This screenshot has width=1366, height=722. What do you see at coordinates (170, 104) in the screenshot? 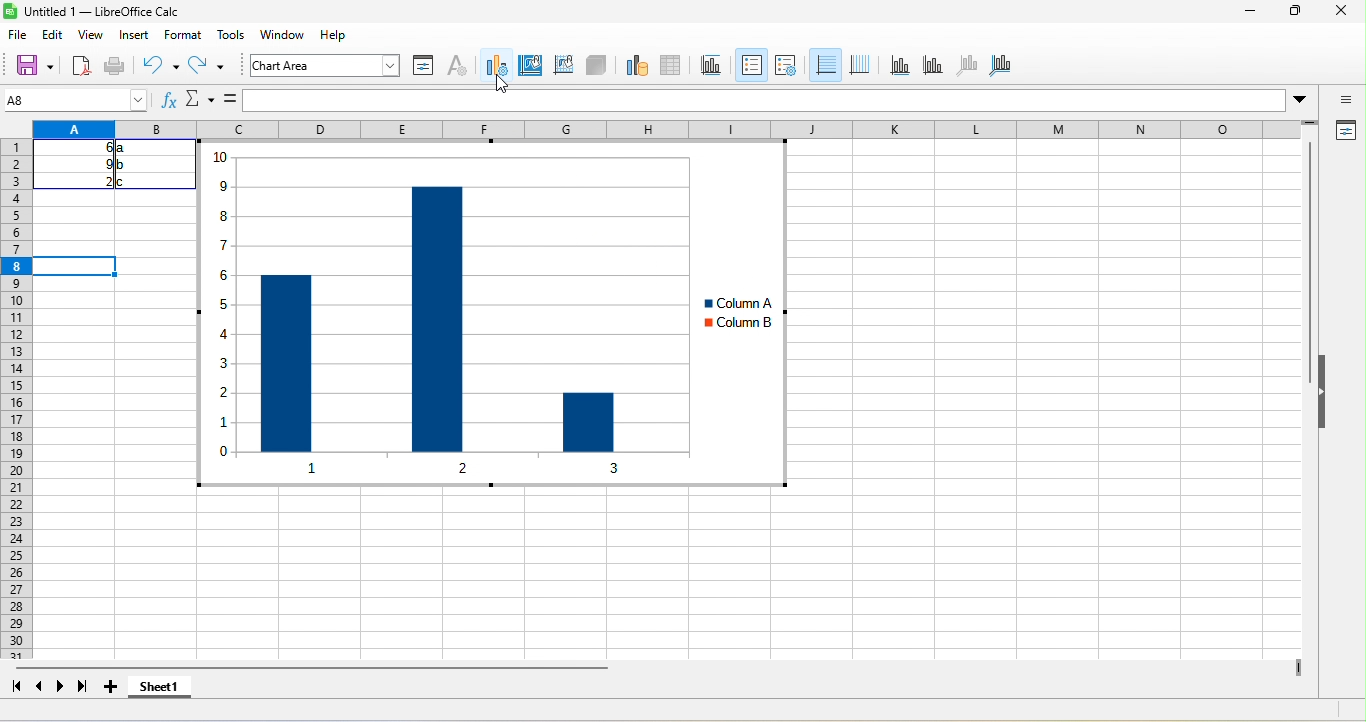
I see `function wizard` at bounding box center [170, 104].